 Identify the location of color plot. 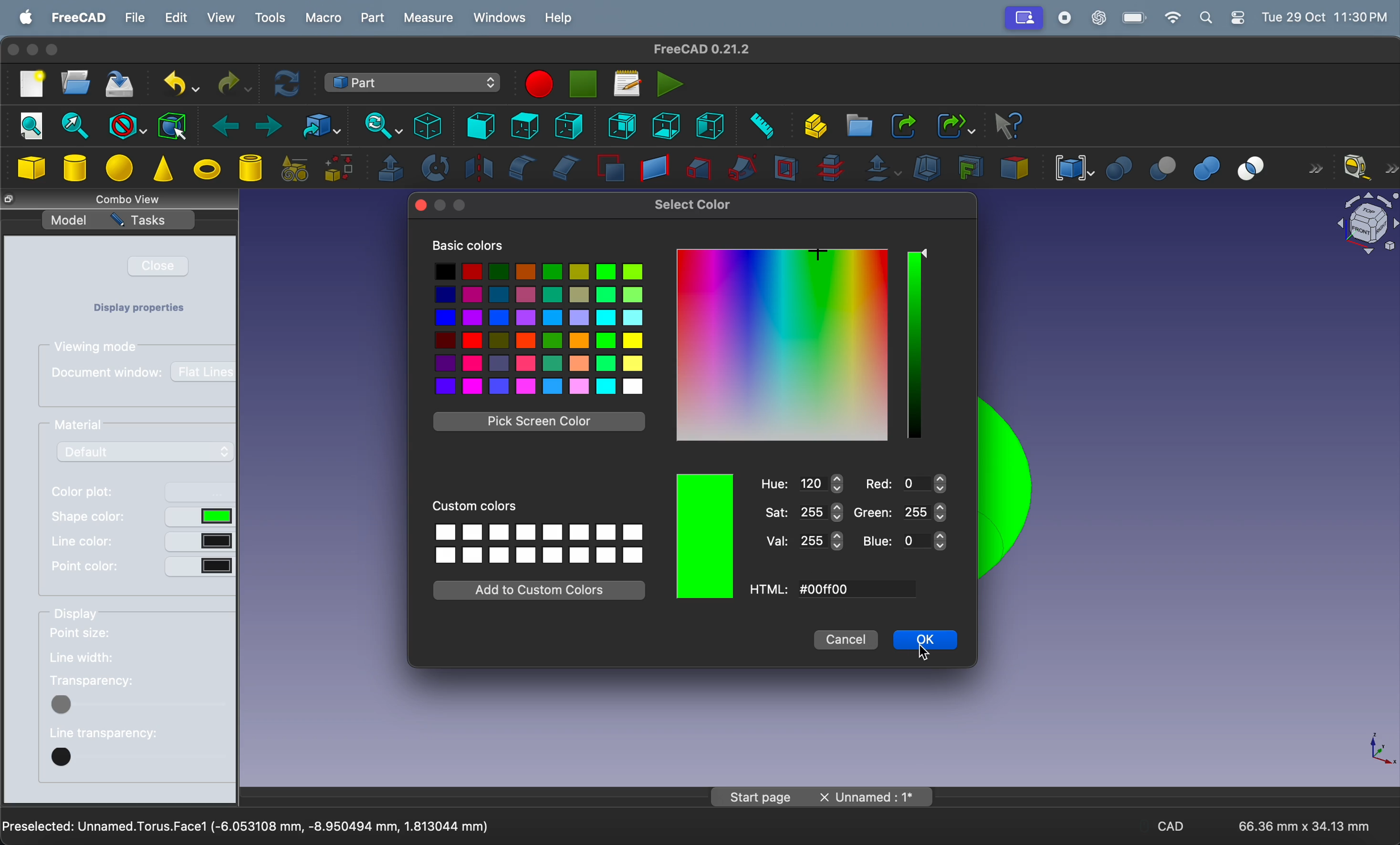
(90, 491).